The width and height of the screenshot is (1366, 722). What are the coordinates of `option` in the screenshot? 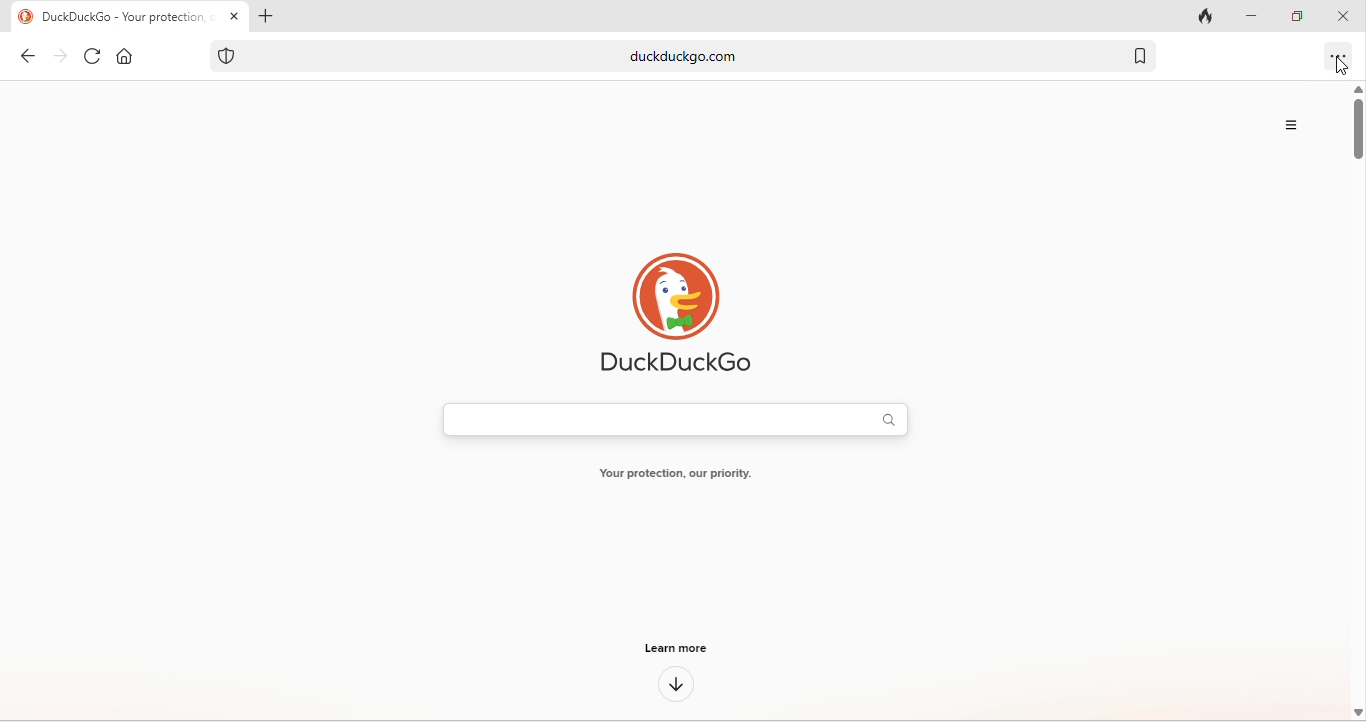 It's located at (1338, 55).